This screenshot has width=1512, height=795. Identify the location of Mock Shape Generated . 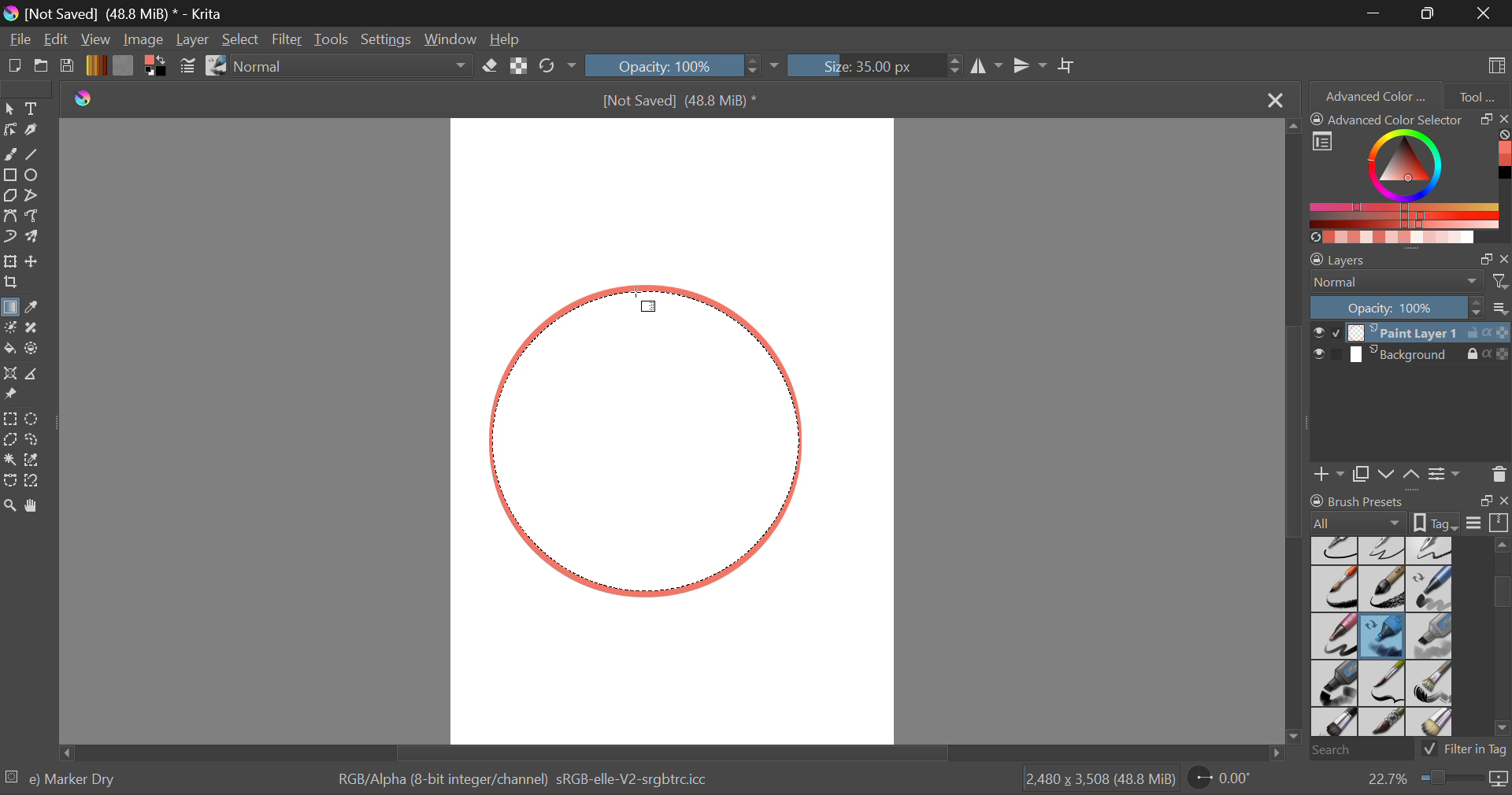
(656, 441).